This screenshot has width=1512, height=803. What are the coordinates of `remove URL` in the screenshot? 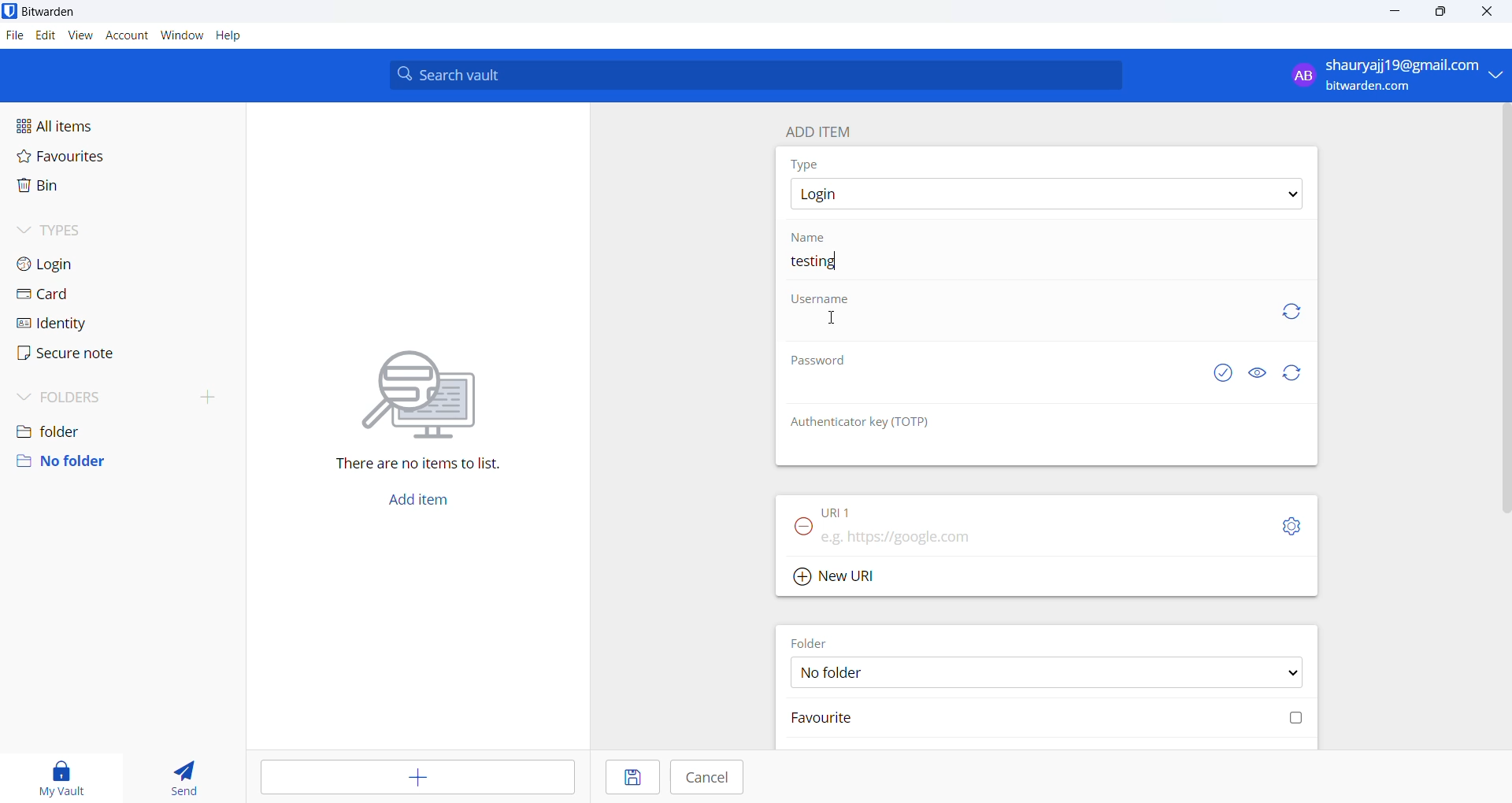 It's located at (804, 527).